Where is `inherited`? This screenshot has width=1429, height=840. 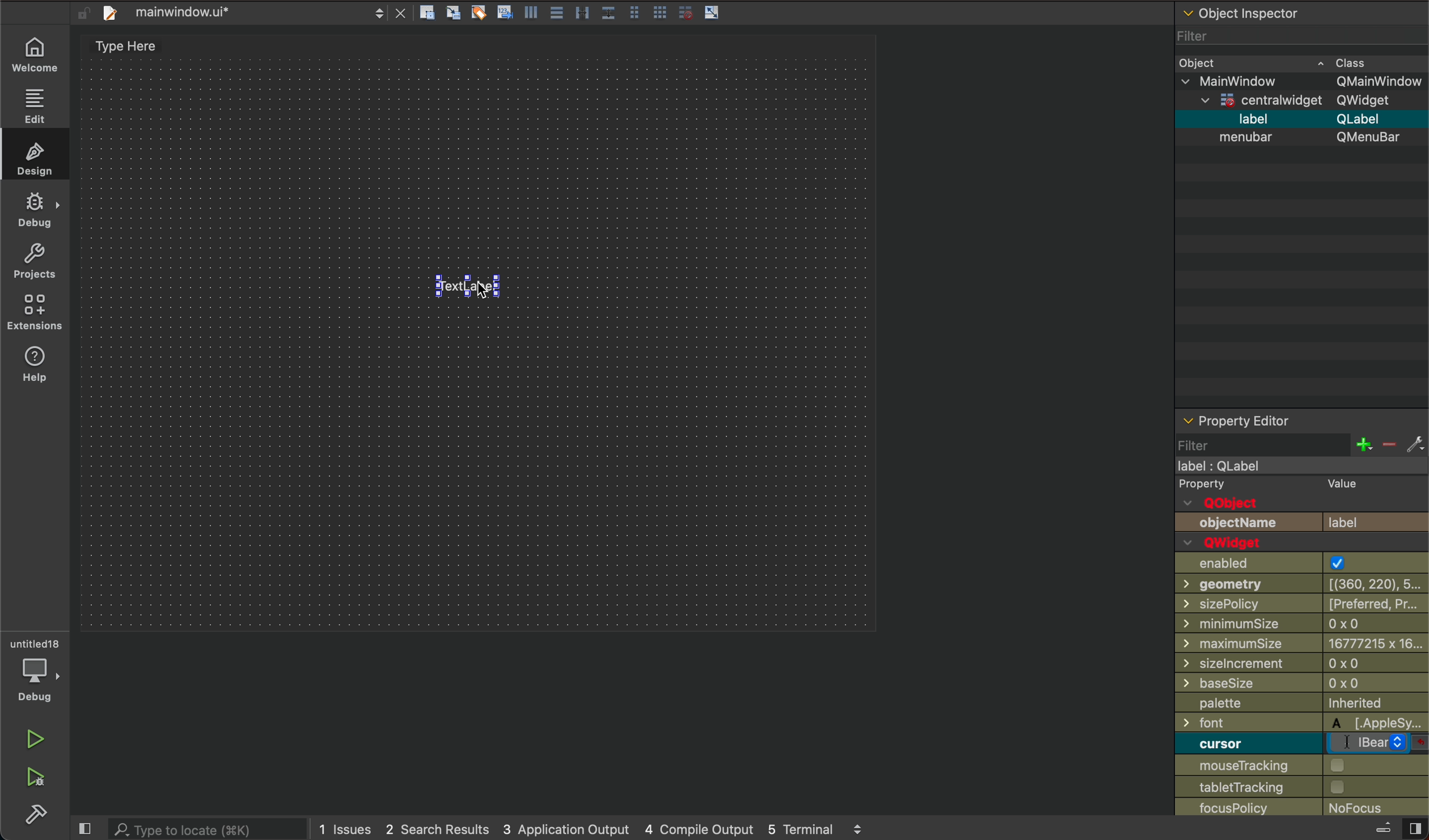
inherited is located at coordinates (1368, 705).